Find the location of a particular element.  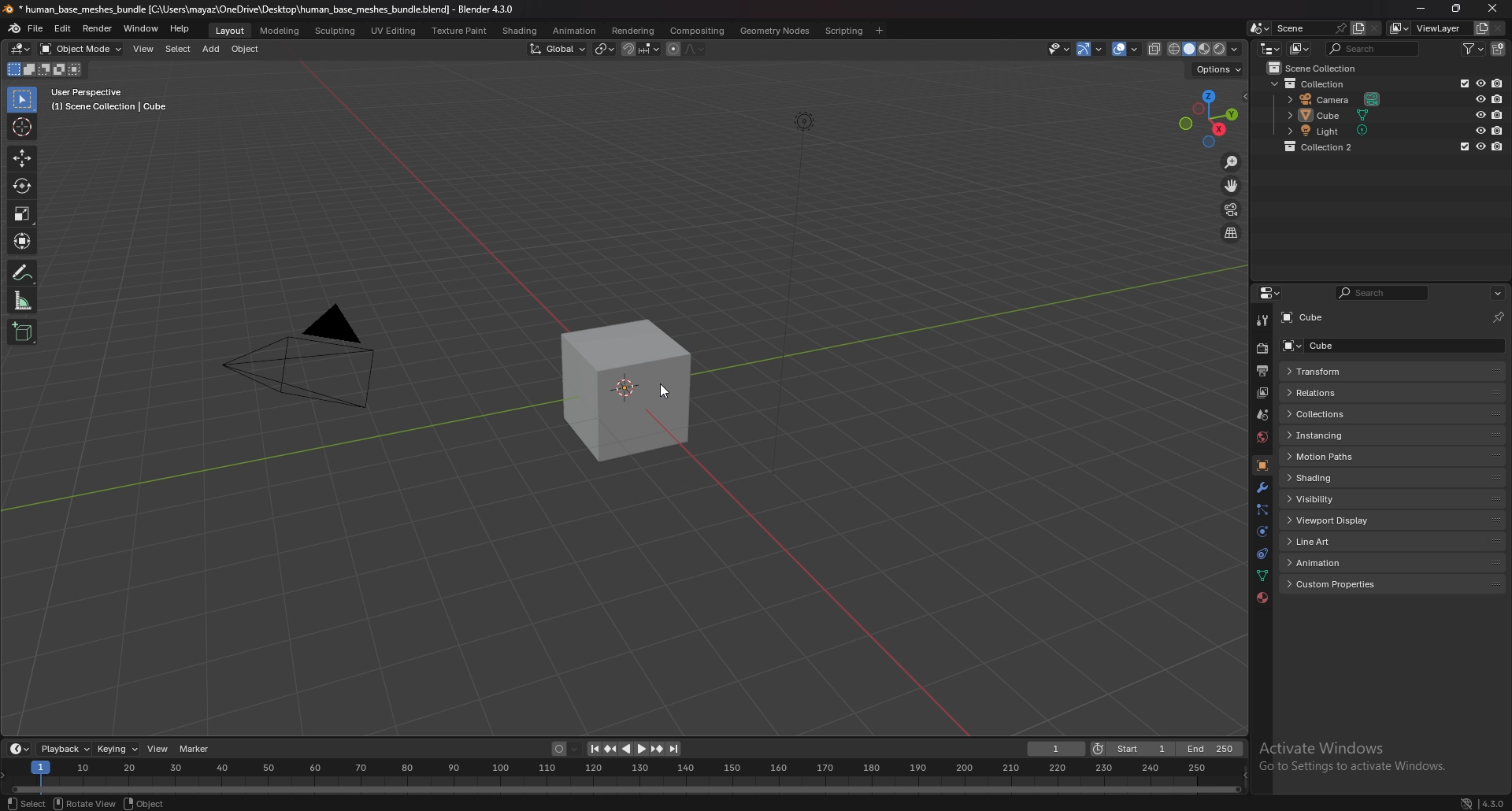

material is located at coordinates (1262, 597).